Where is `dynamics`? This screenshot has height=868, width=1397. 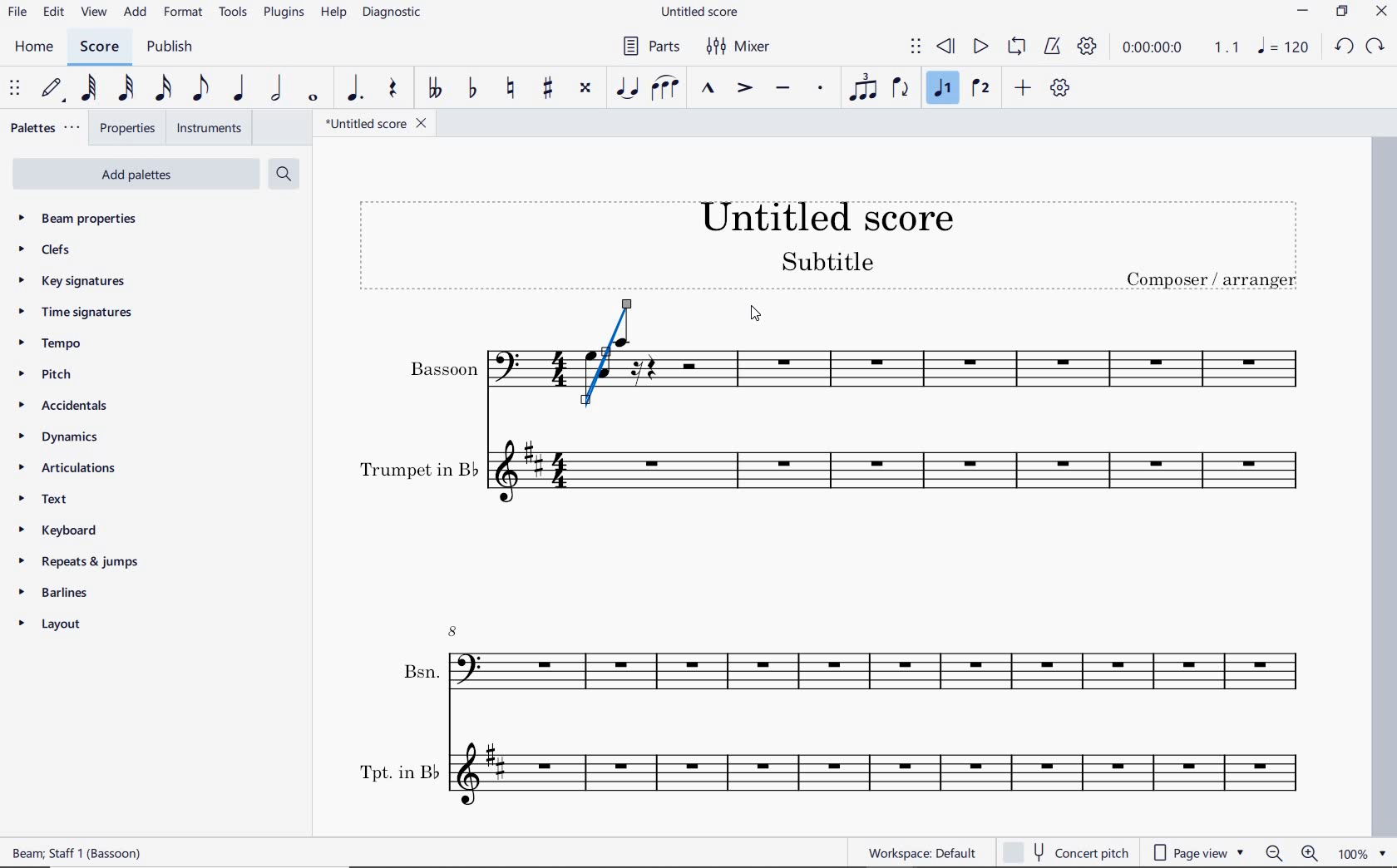
dynamics is located at coordinates (61, 435).